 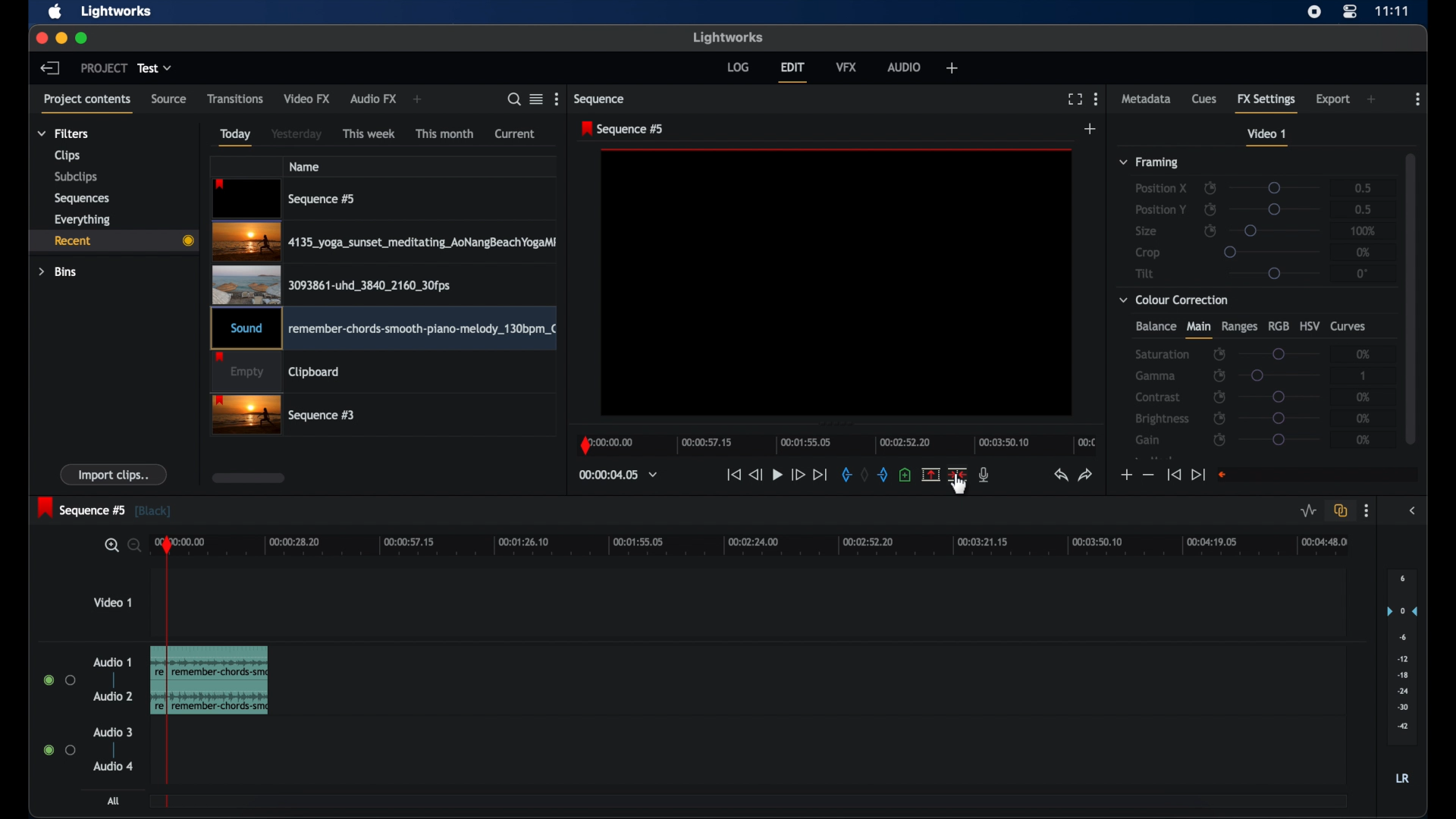 I want to click on enable/disable keyframes, so click(x=1219, y=375).